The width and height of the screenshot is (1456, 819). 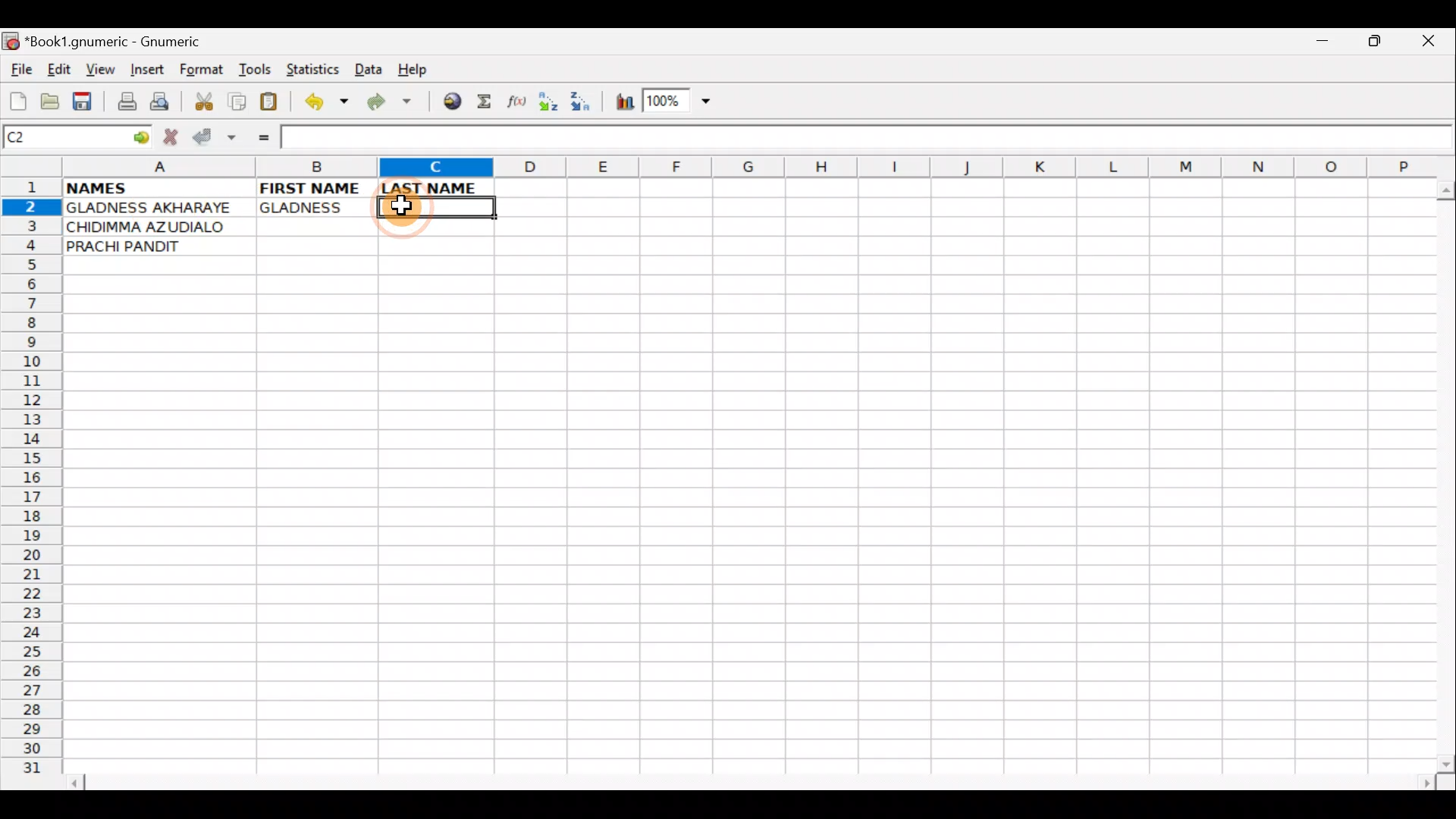 I want to click on File, so click(x=20, y=71).